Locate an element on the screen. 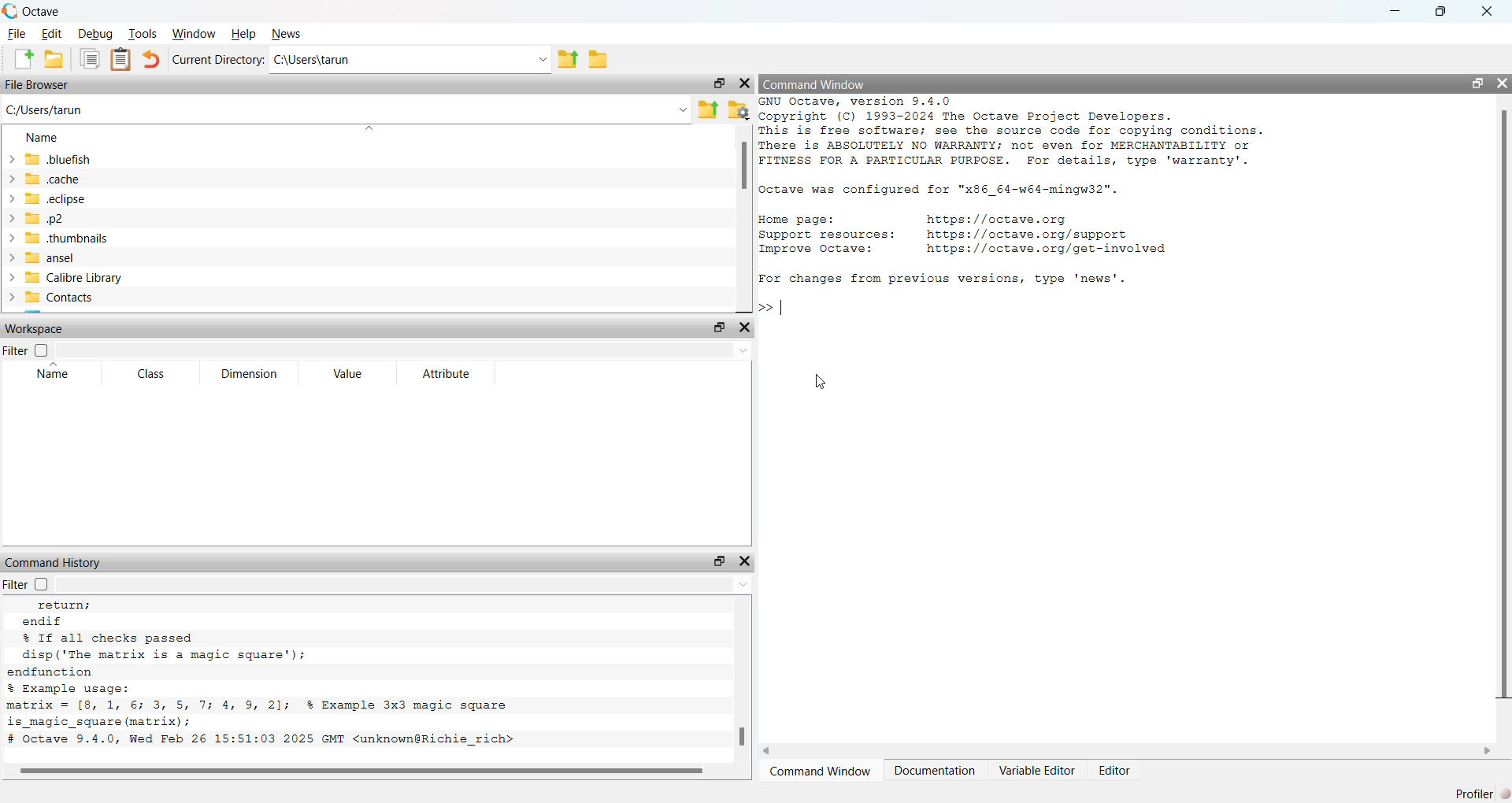 The height and width of the screenshot is (803, 1512). Debug is located at coordinates (97, 34).